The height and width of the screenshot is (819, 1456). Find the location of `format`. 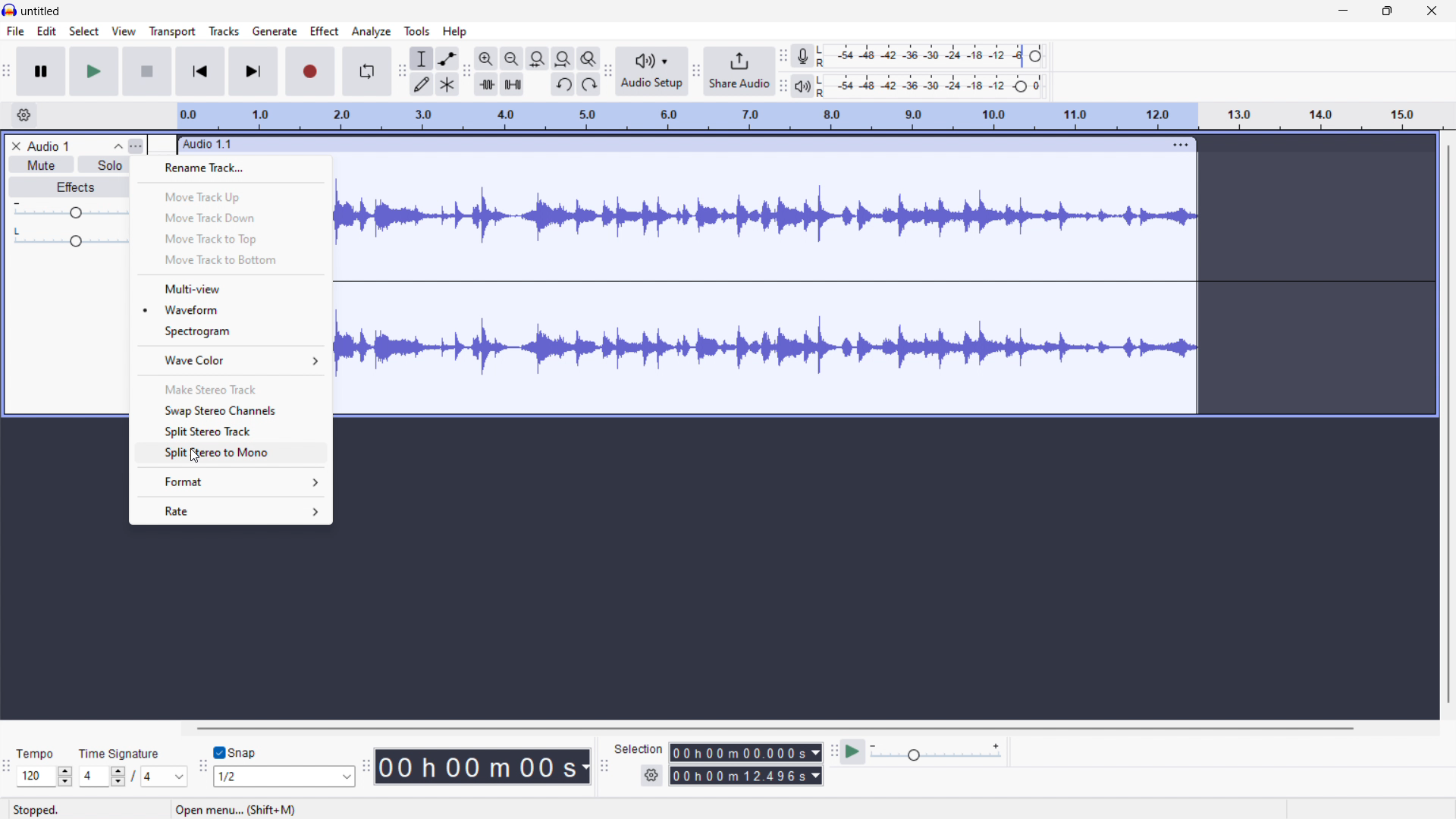

format is located at coordinates (229, 482).